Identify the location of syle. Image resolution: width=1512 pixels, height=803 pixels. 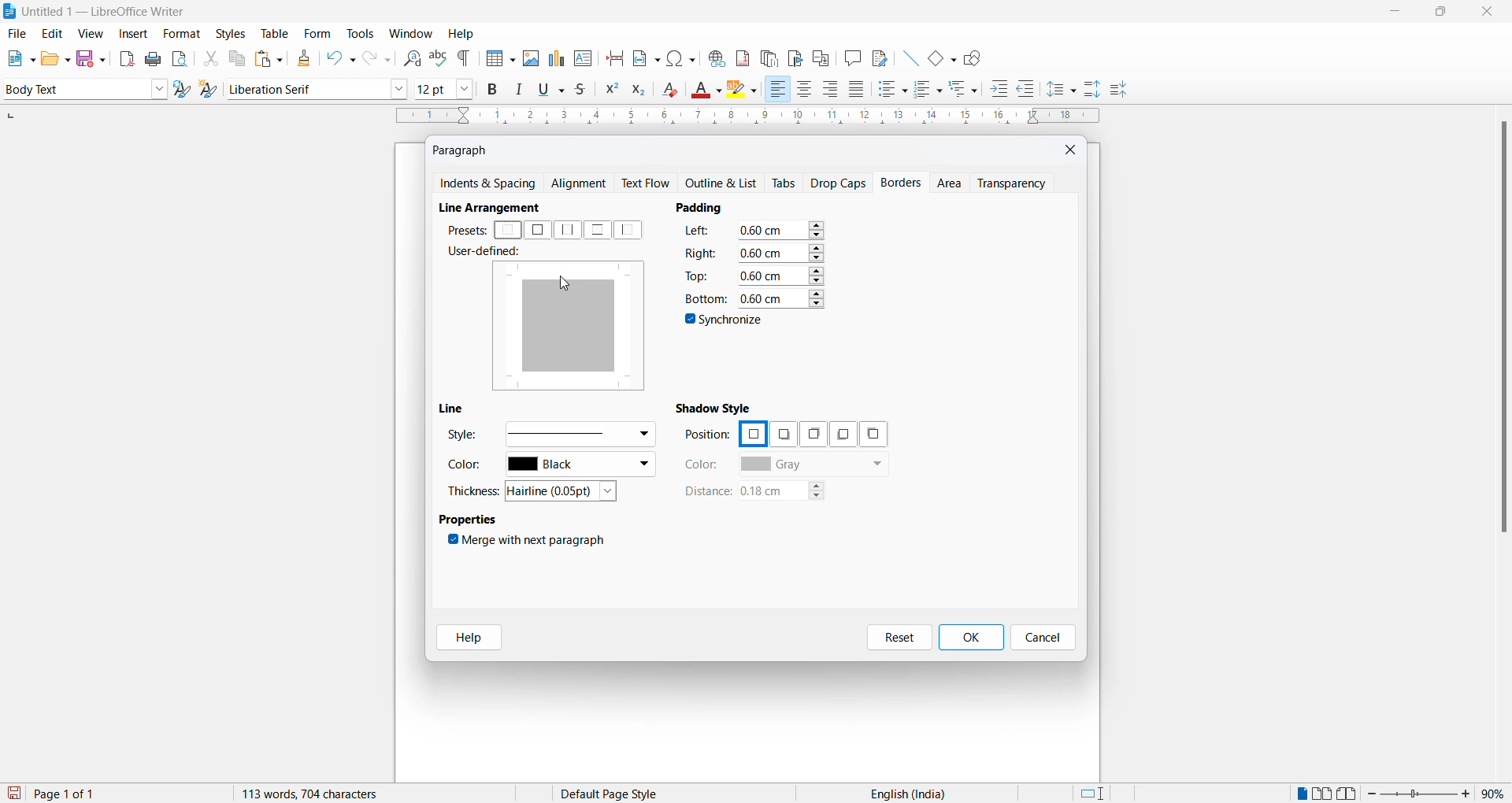
(462, 437).